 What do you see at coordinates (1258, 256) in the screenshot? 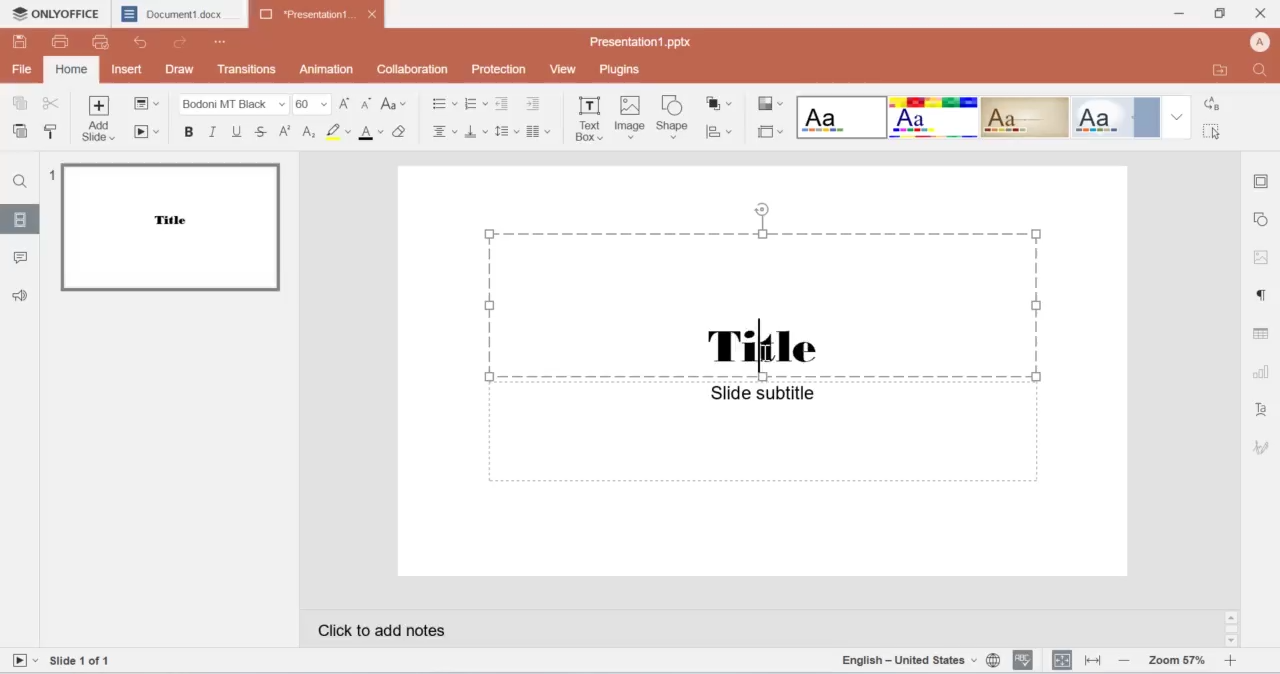
I see `image settings` at bounding box center [1258, 256].